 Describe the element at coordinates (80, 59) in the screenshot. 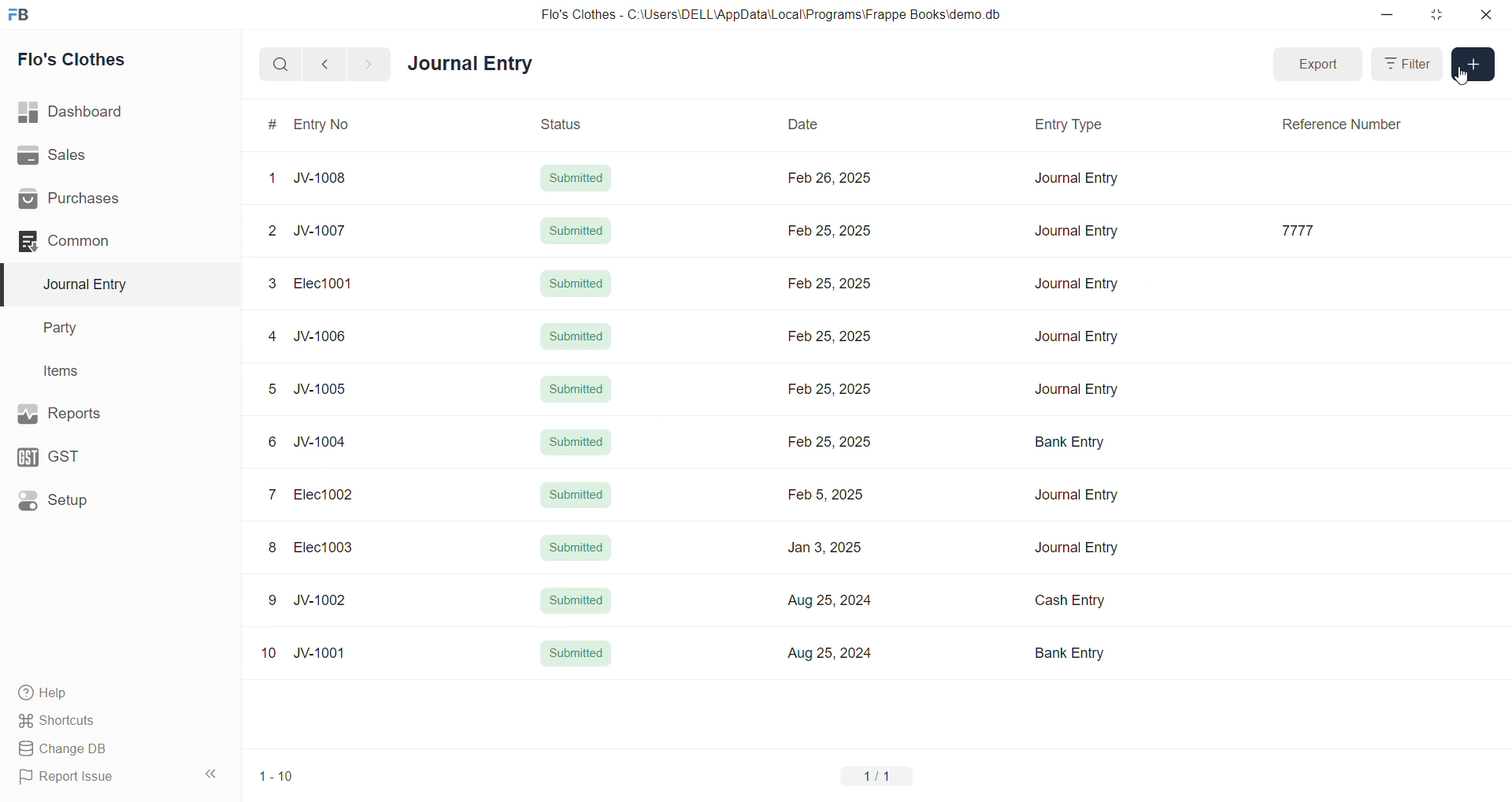

I see `Flo's Clothes` at that location.